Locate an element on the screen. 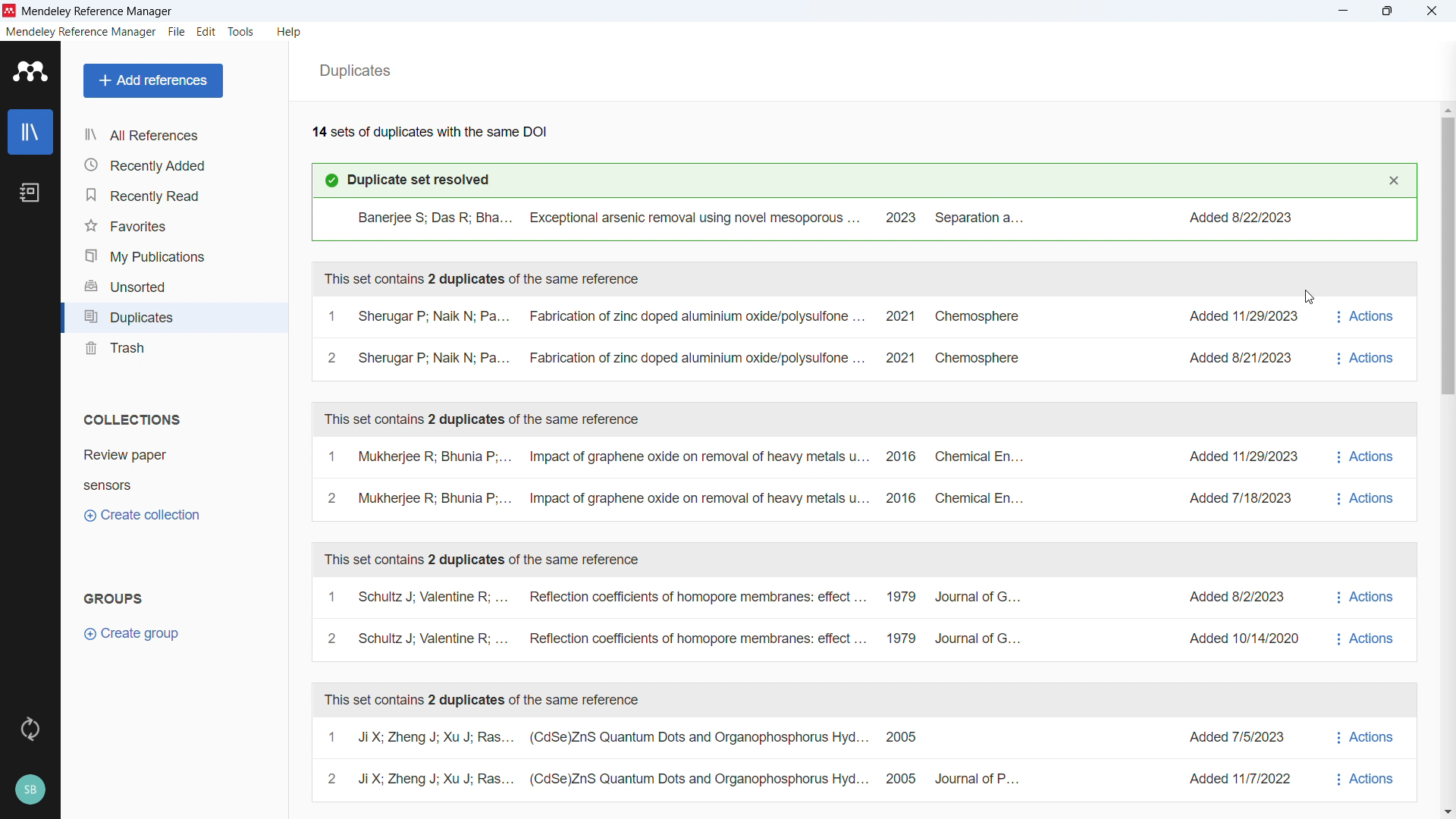  Help  is located at coordinates (290, 33).